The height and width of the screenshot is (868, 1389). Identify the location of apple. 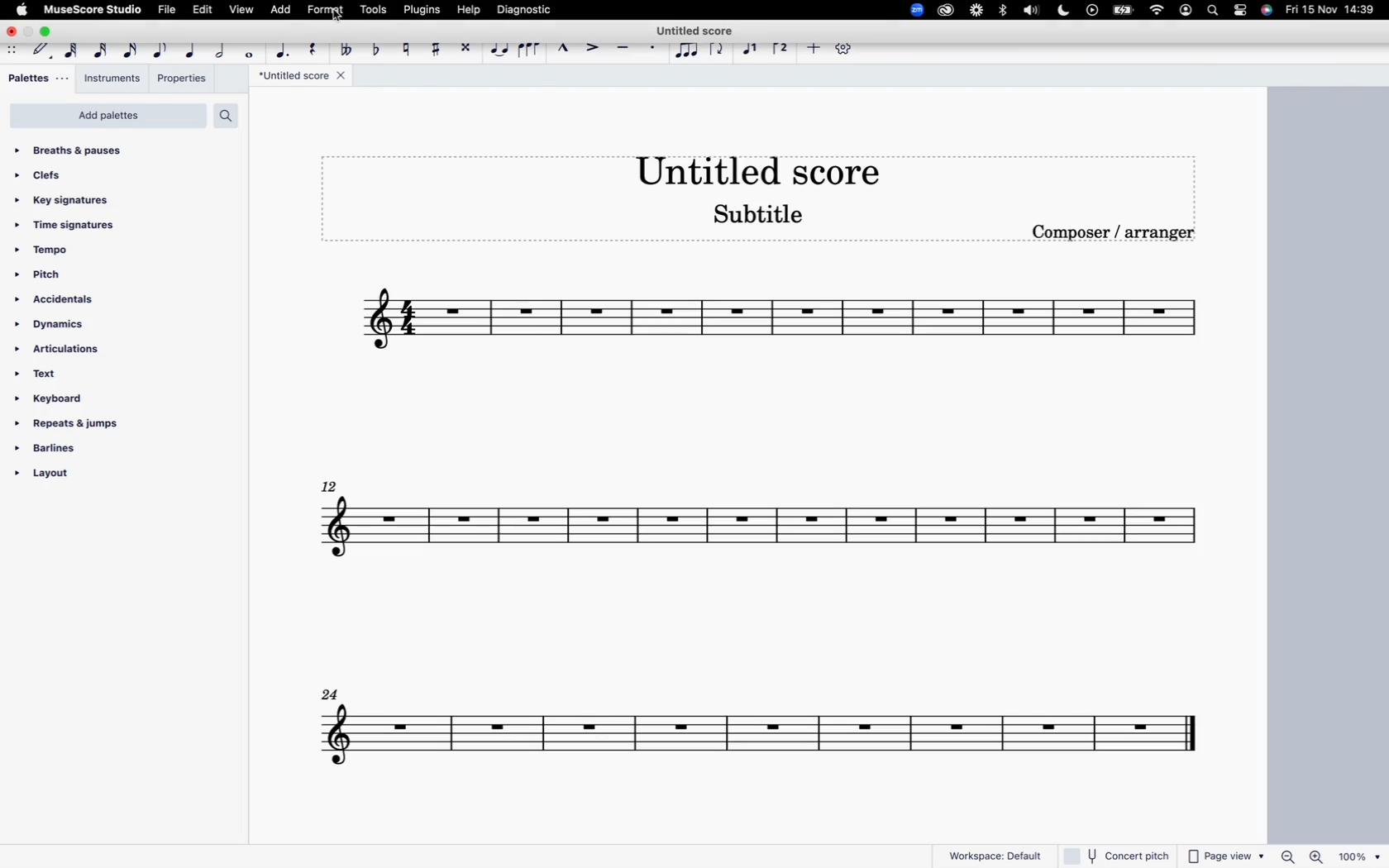
(23, 10).